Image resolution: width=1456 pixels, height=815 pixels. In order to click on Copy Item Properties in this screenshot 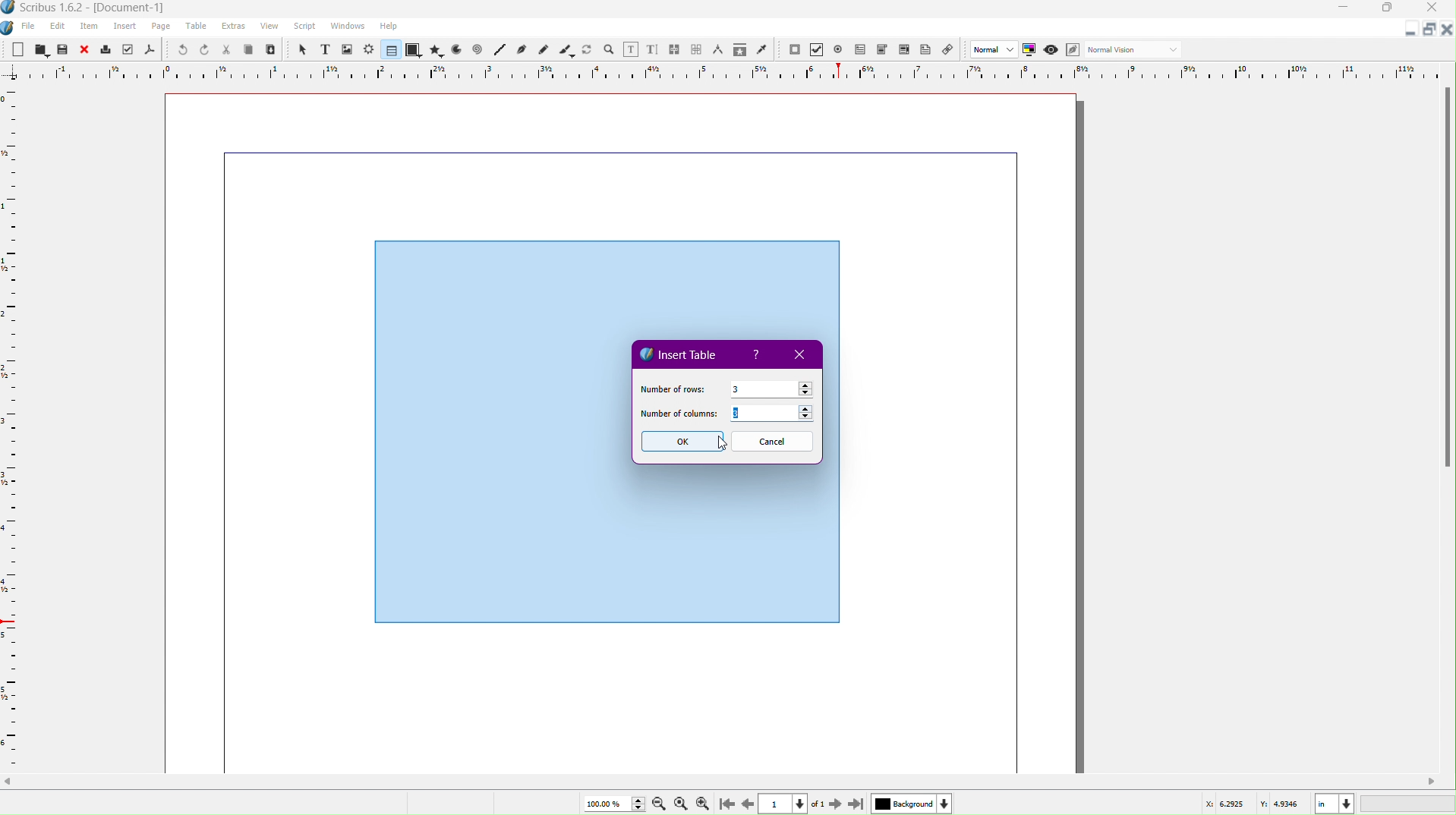, I will do `click(739, 50)`.